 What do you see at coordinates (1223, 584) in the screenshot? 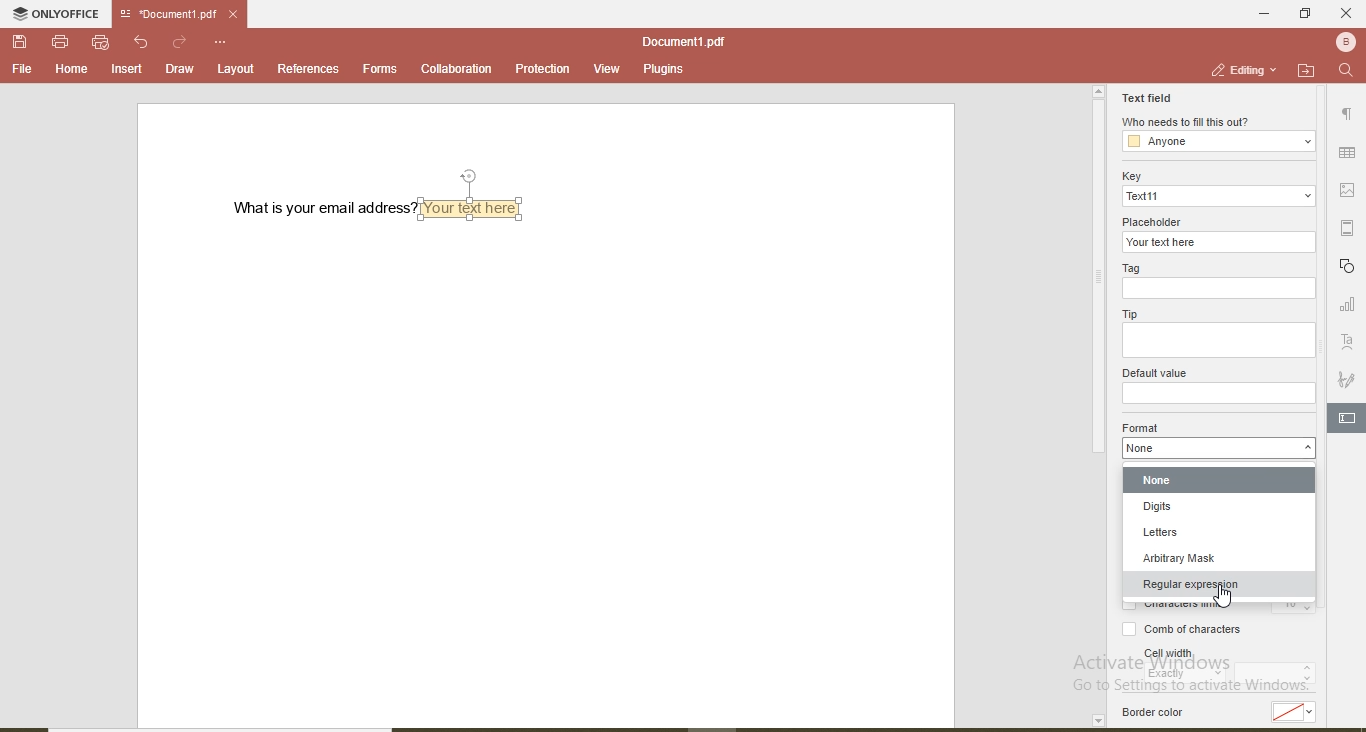
I see `regular expression` at bounding box center [1223, 584].